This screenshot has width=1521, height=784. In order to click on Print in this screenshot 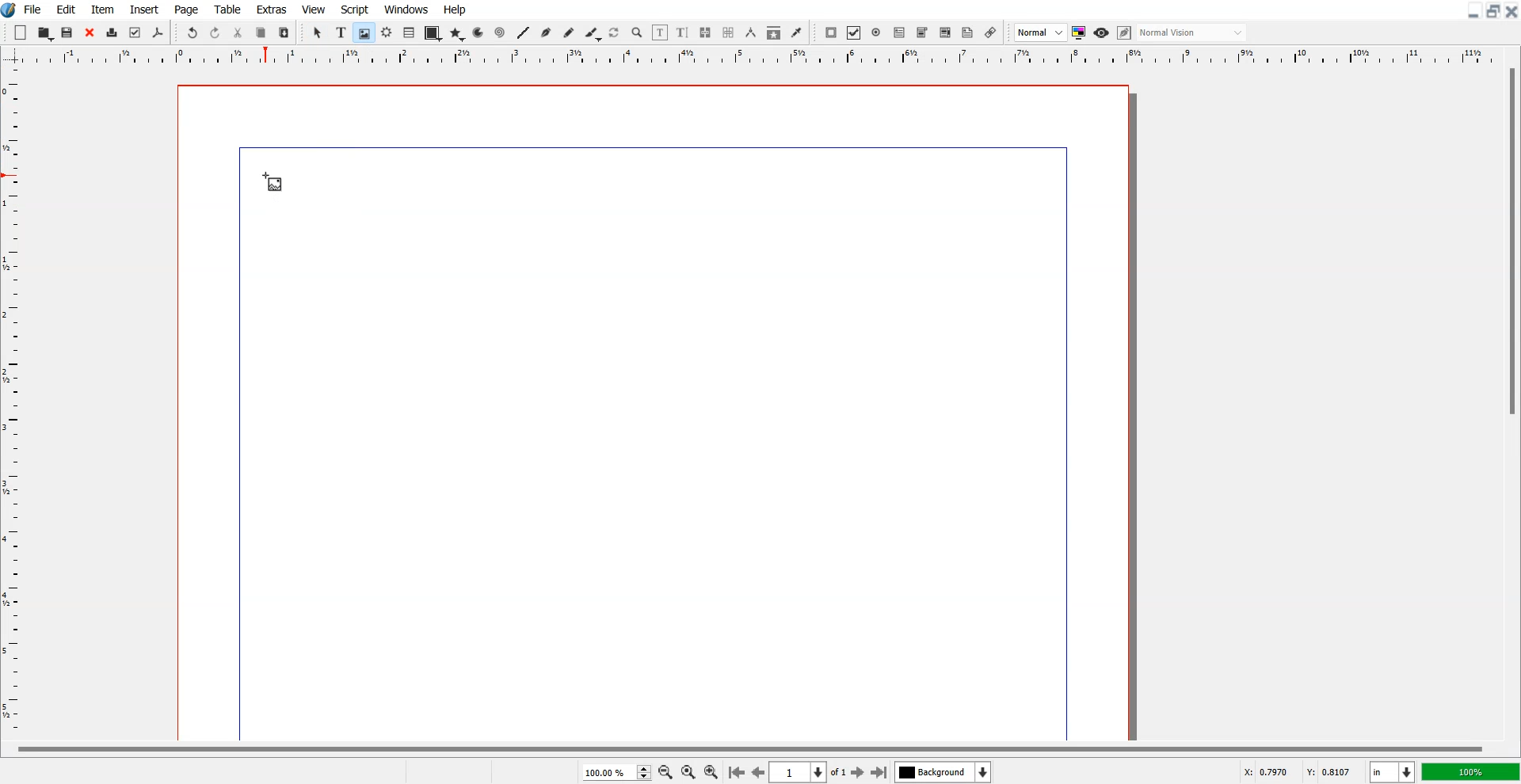, I will do `click(112, 32)`.